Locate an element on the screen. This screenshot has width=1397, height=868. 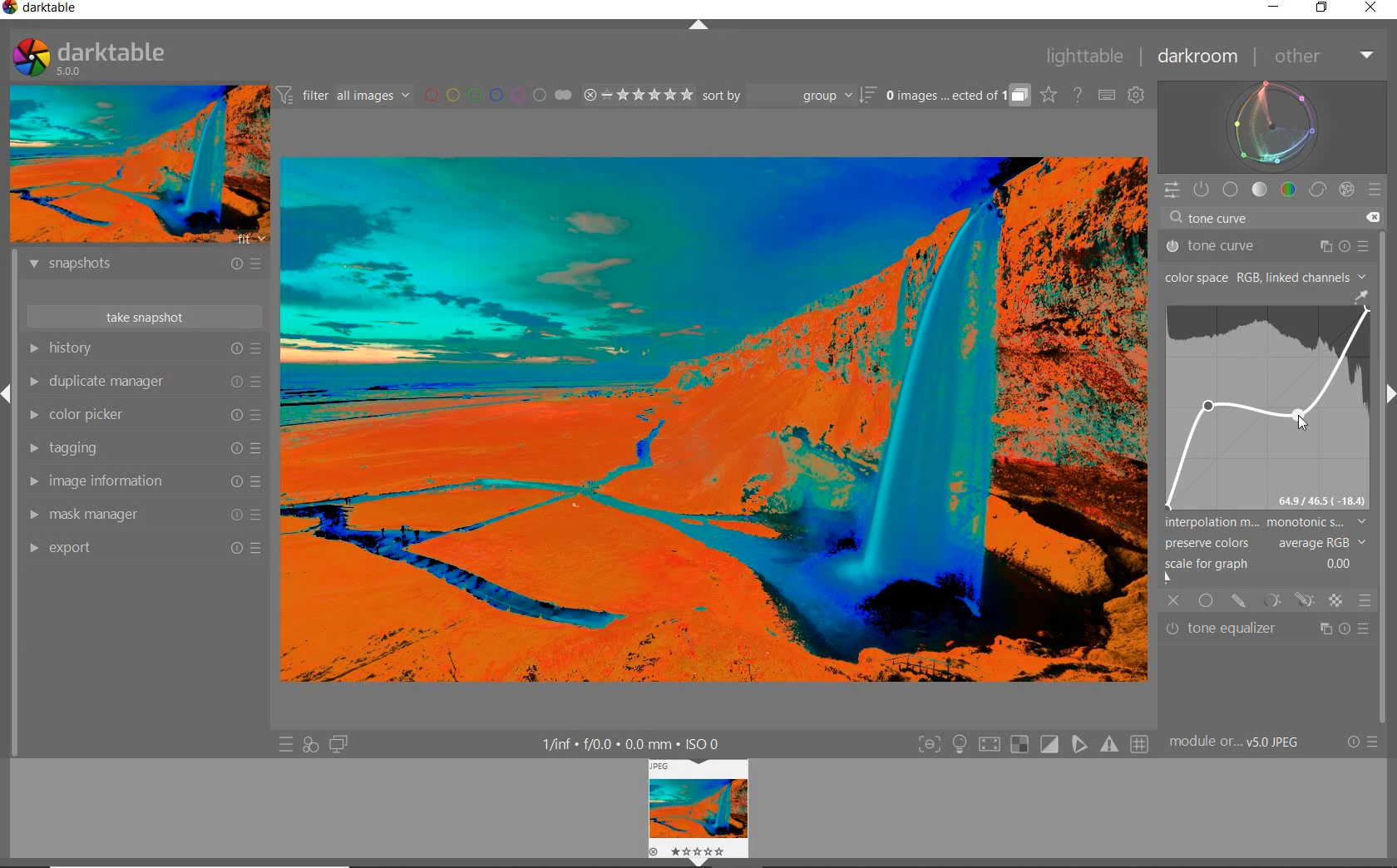
tone is located at coordinates (1260, 190).